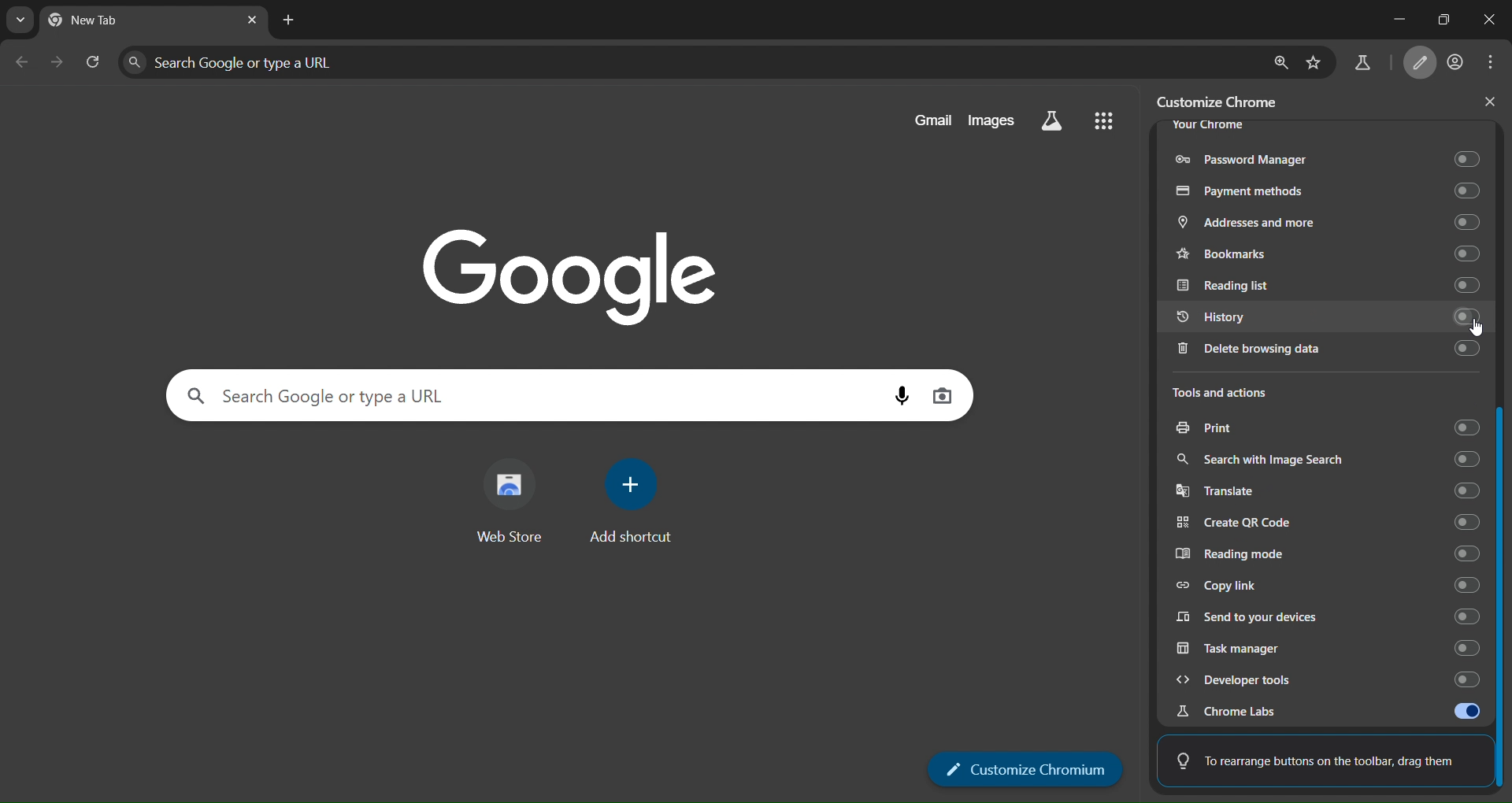  What do you see at coordinates (1328, 711) in the screenshot?
I see `chrome labs` at bounding box center [1328, 711].